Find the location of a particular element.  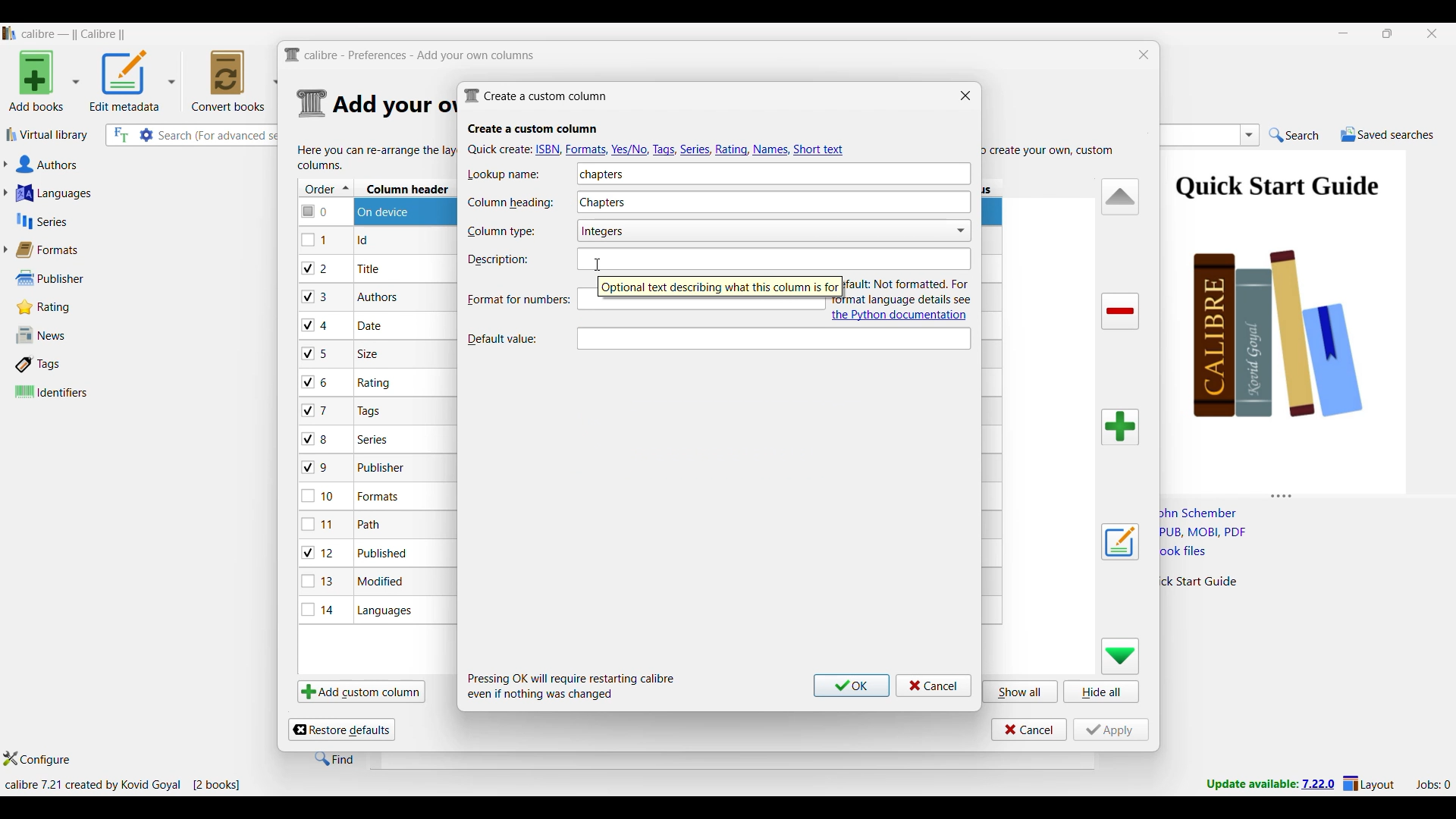

checkbox - 14 is located at coordinates (318, 609).